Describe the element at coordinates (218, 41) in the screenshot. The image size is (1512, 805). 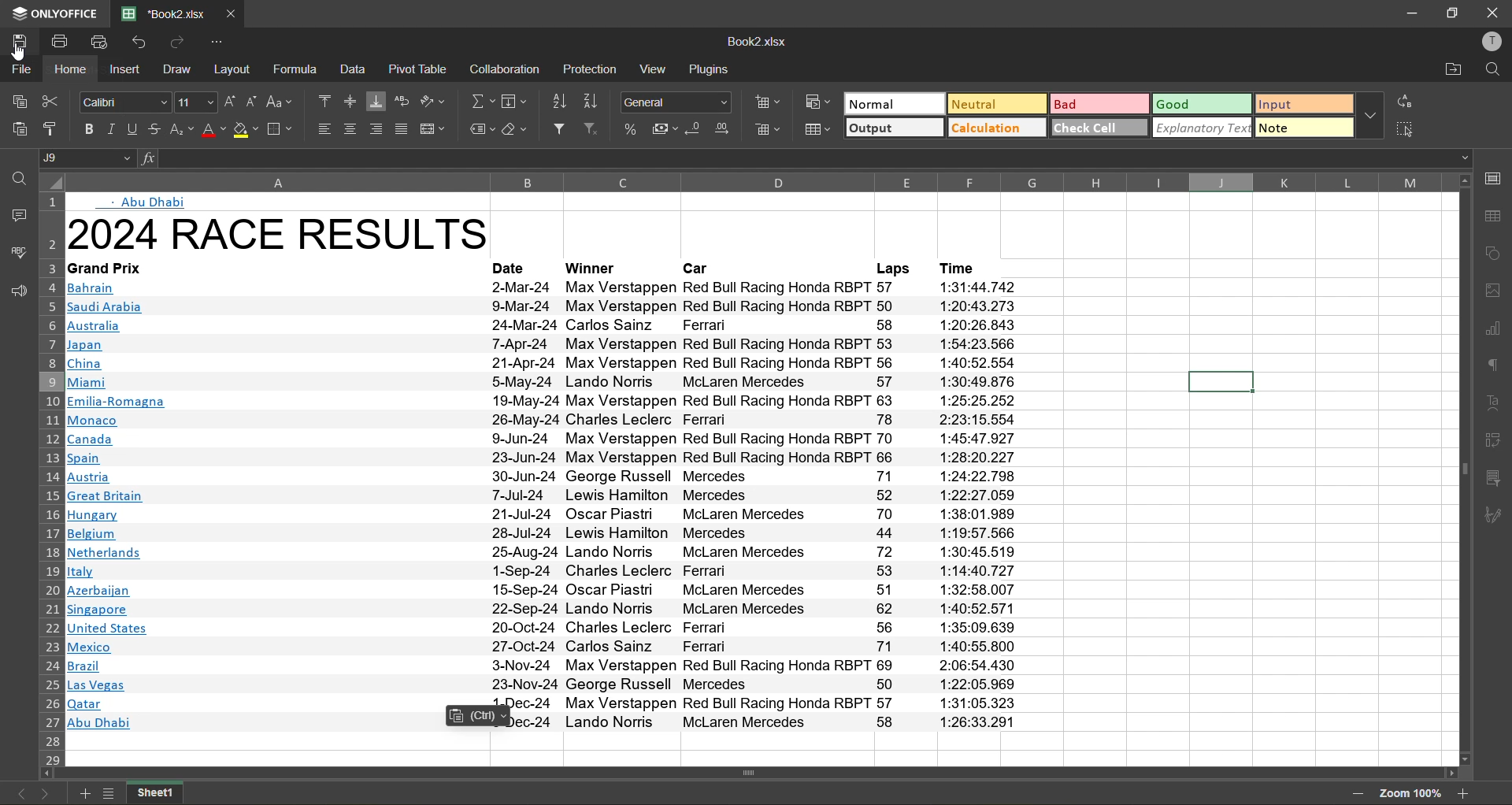
I see `customize quick access toolbar` at that location.